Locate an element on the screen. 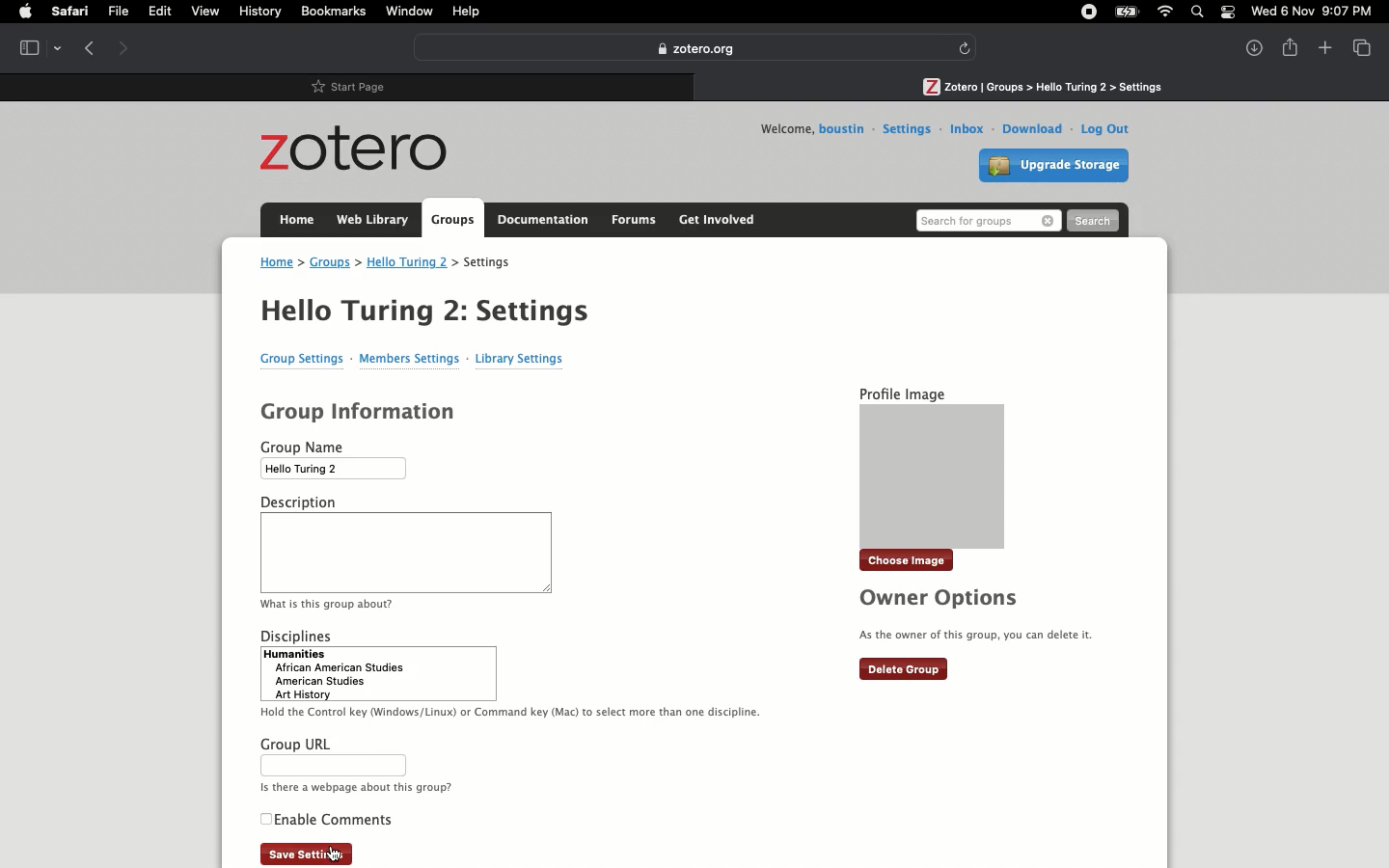 Image resolution: width=1389 pixels, height=868 pixels. Bookmarks is located at coordinates (334, 12).